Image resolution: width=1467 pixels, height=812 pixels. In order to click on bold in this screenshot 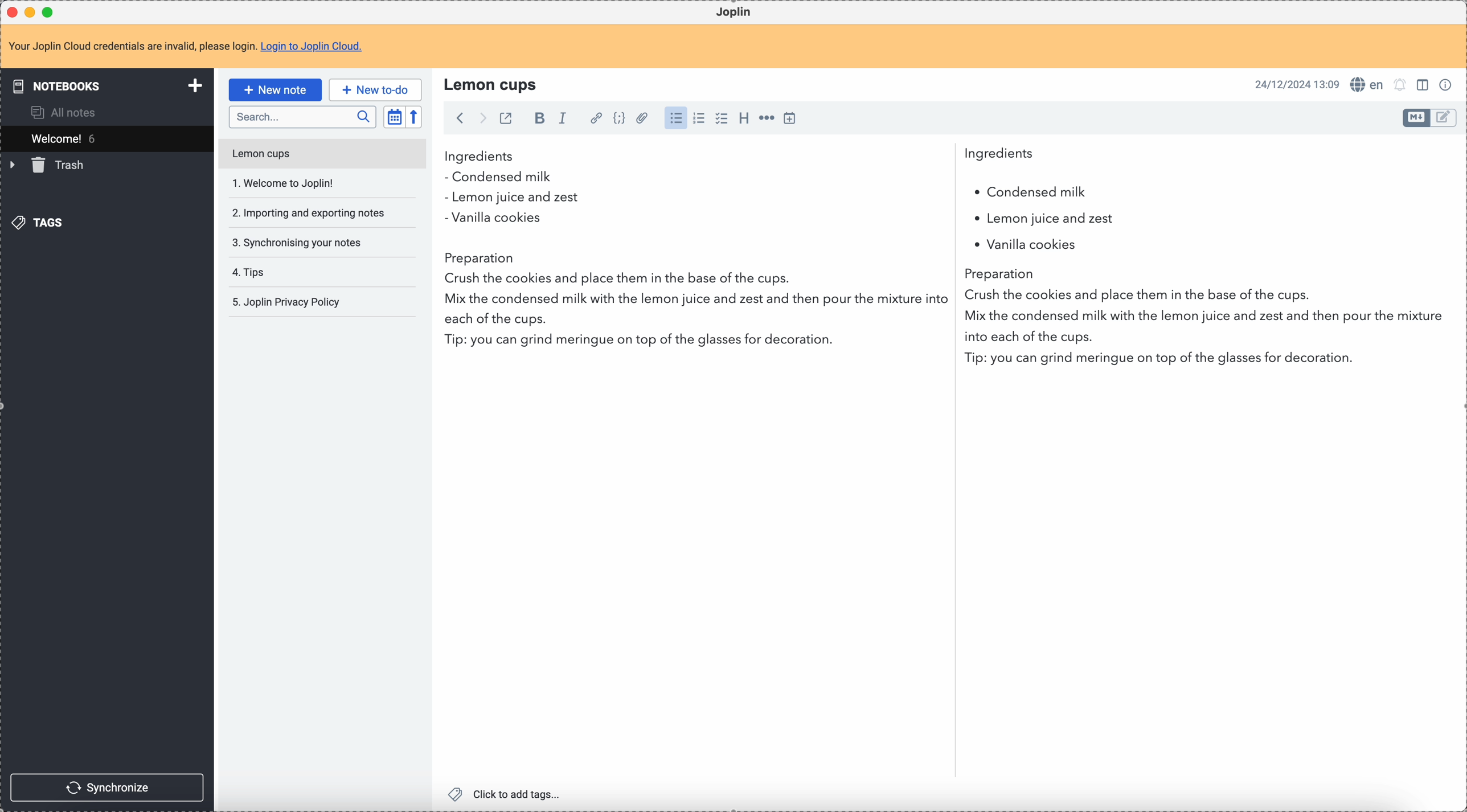, I will do `click(536, 119)`.